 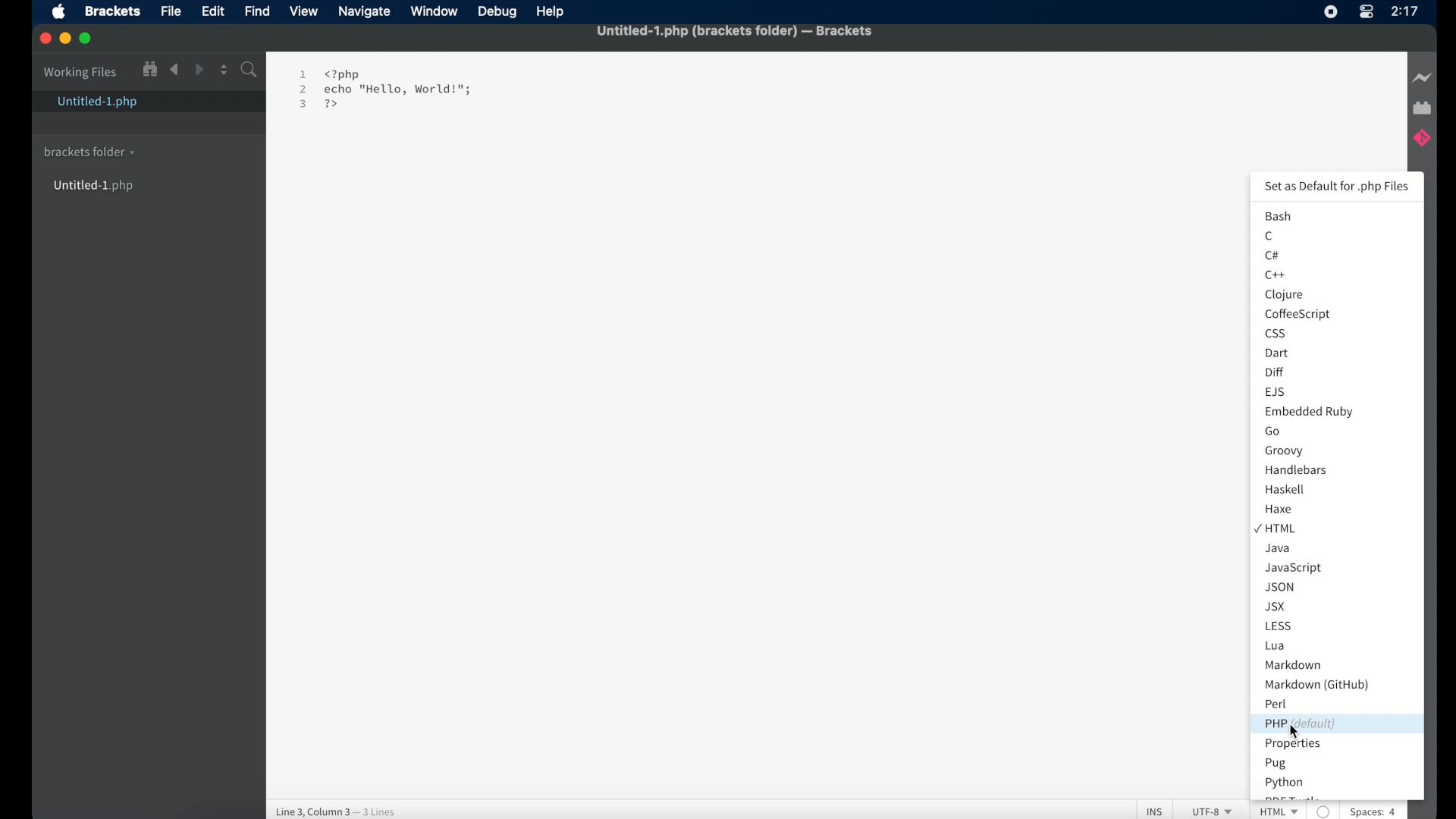 I want to click on file, so click(x=171, y=13).